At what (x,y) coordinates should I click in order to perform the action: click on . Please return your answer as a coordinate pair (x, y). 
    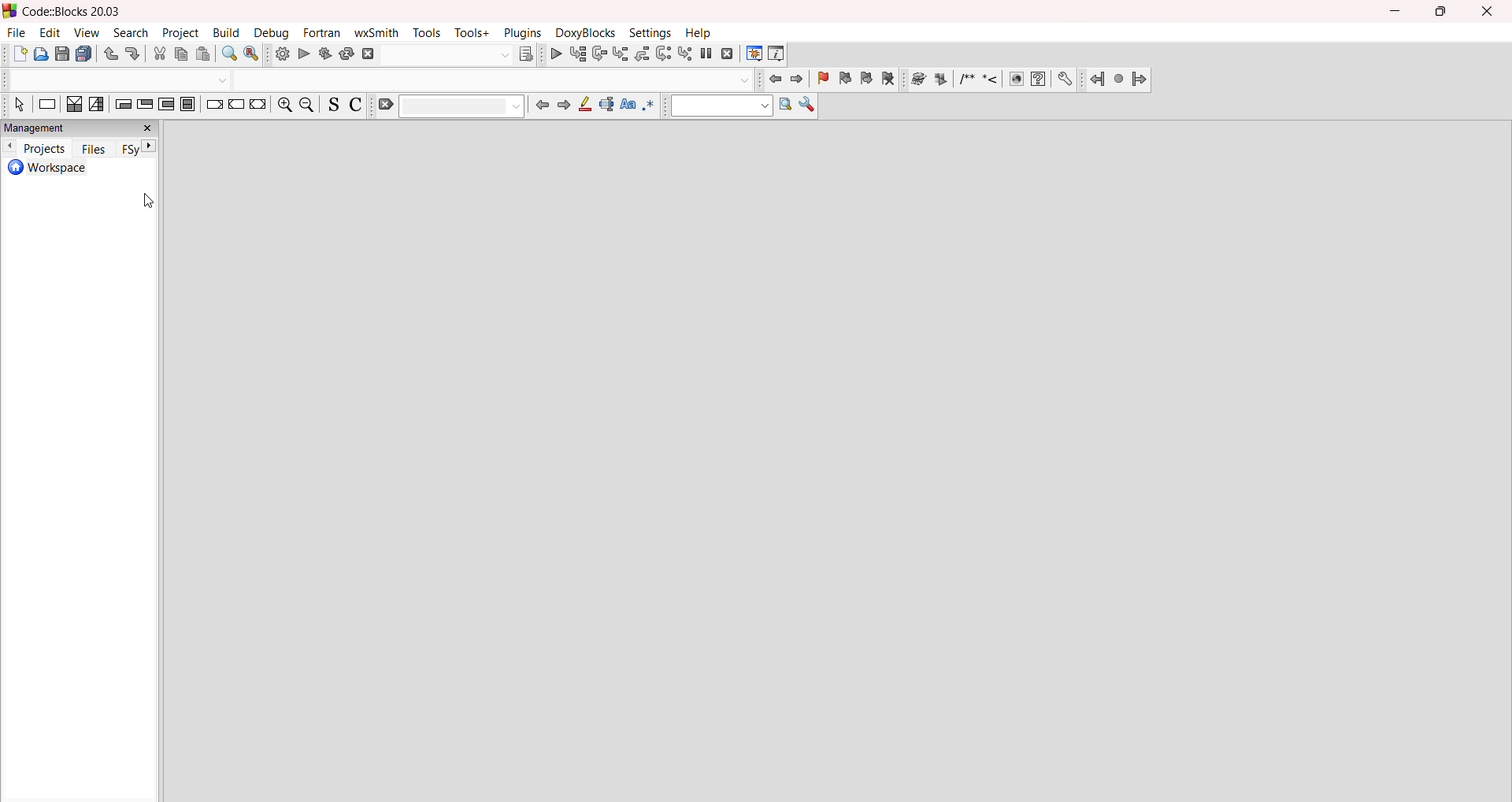
    Looking at the image, I should click on (127, 148).